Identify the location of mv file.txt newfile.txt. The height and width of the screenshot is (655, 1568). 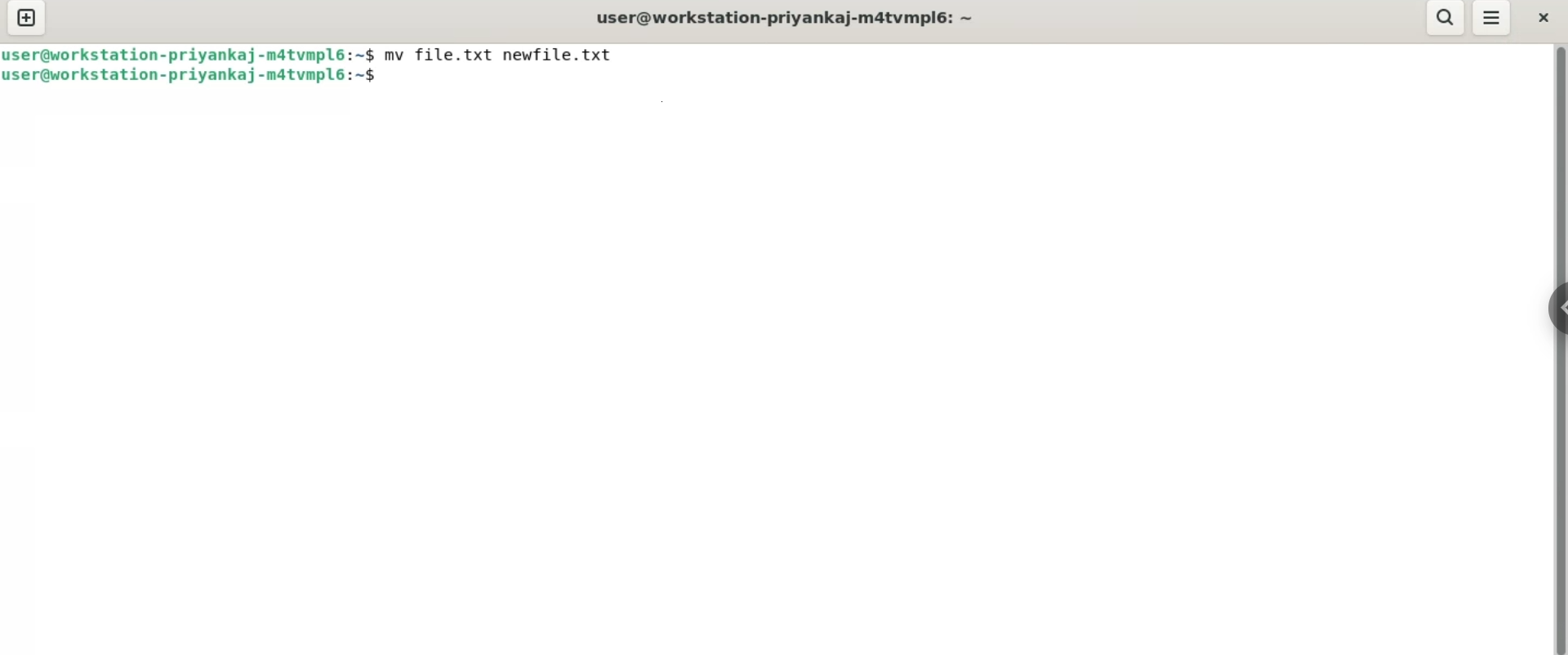
(502, 54).